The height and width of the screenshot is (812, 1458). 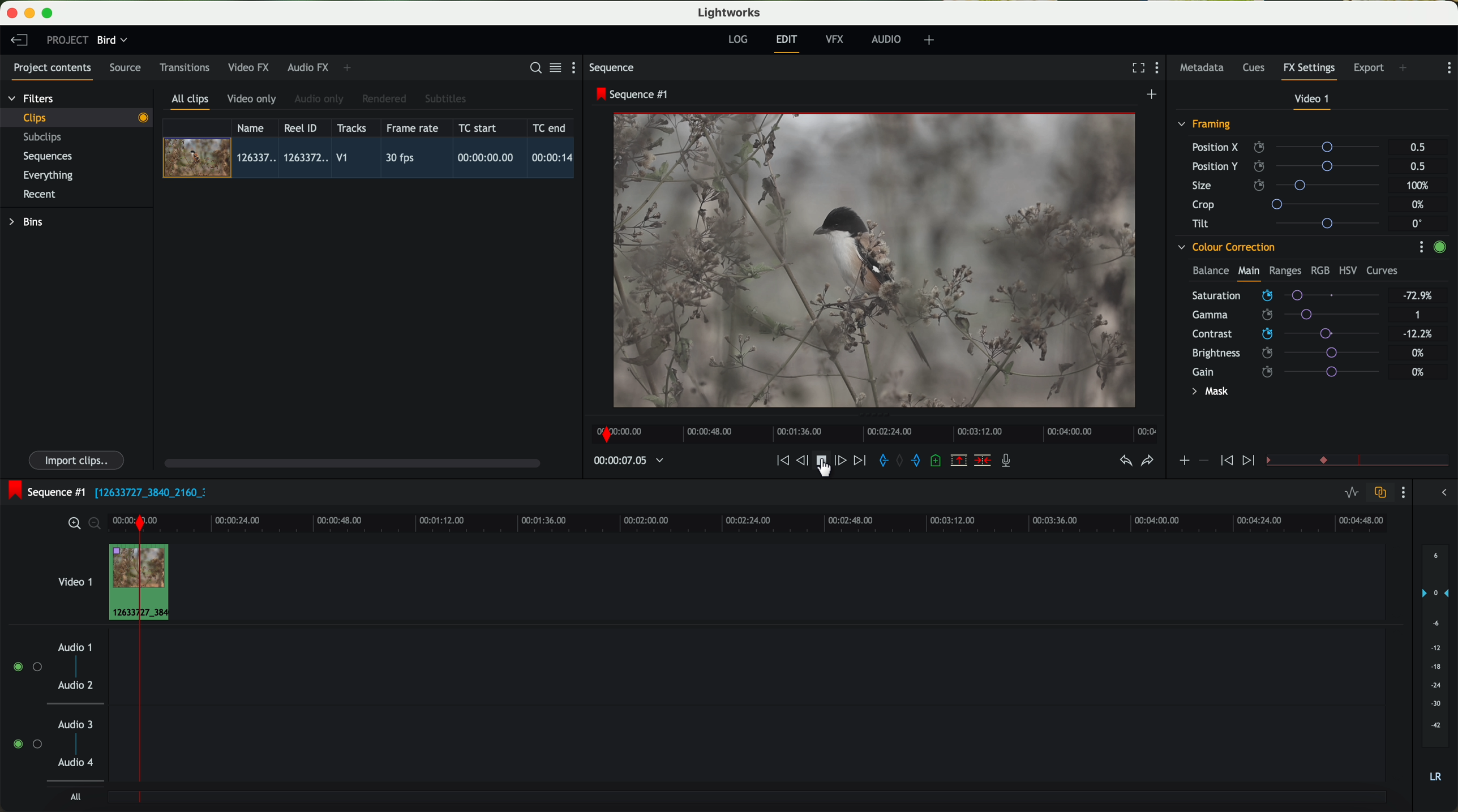 I want to click on show settings menu, so click(x=1402, y=492).